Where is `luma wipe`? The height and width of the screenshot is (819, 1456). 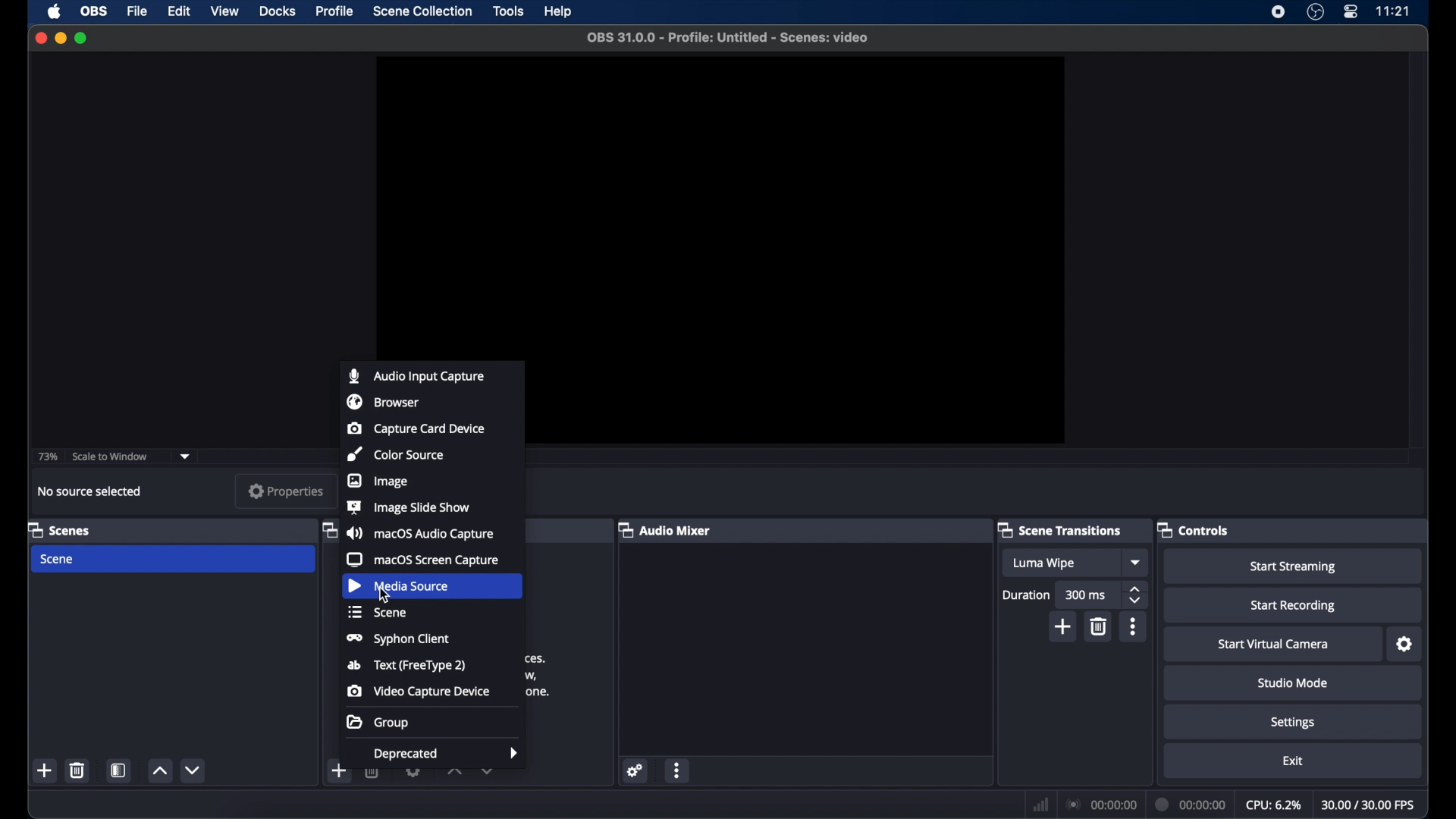
luma wipe is located at coordinates (1043, 563).